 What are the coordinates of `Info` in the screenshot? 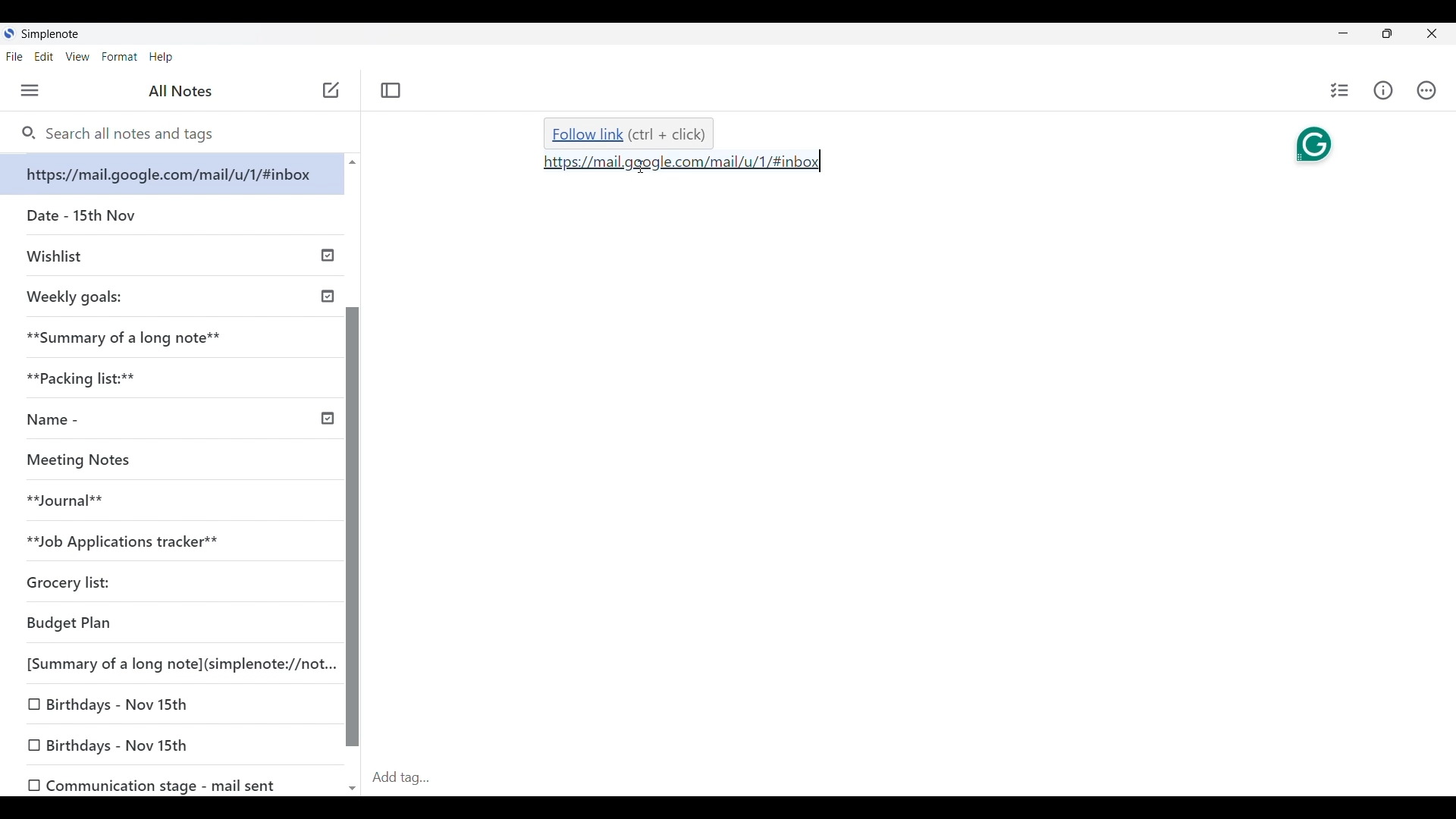 It's located at (1383, 90).